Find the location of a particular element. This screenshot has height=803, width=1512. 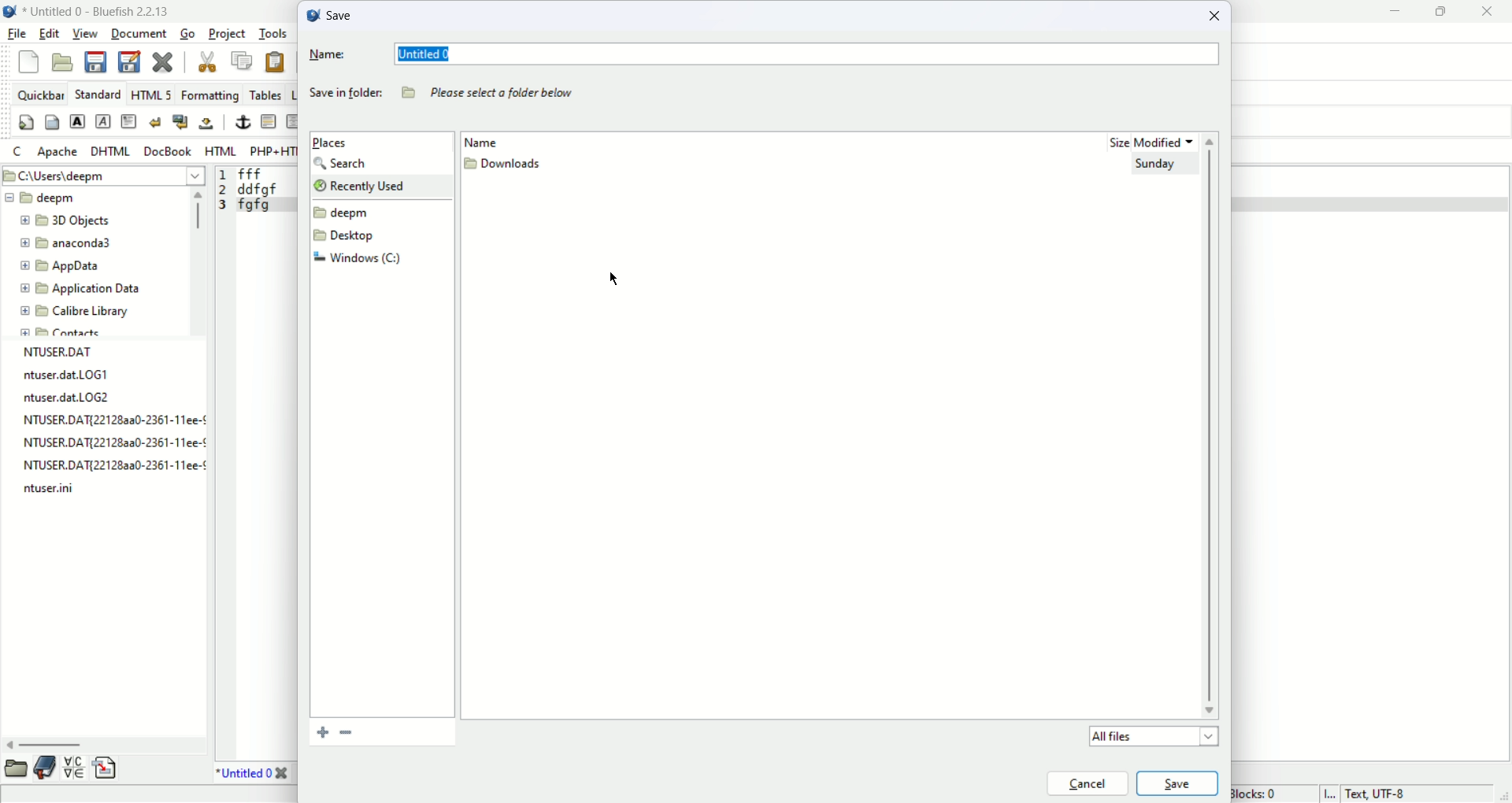

3D objects is located at coordinates (66, 221).